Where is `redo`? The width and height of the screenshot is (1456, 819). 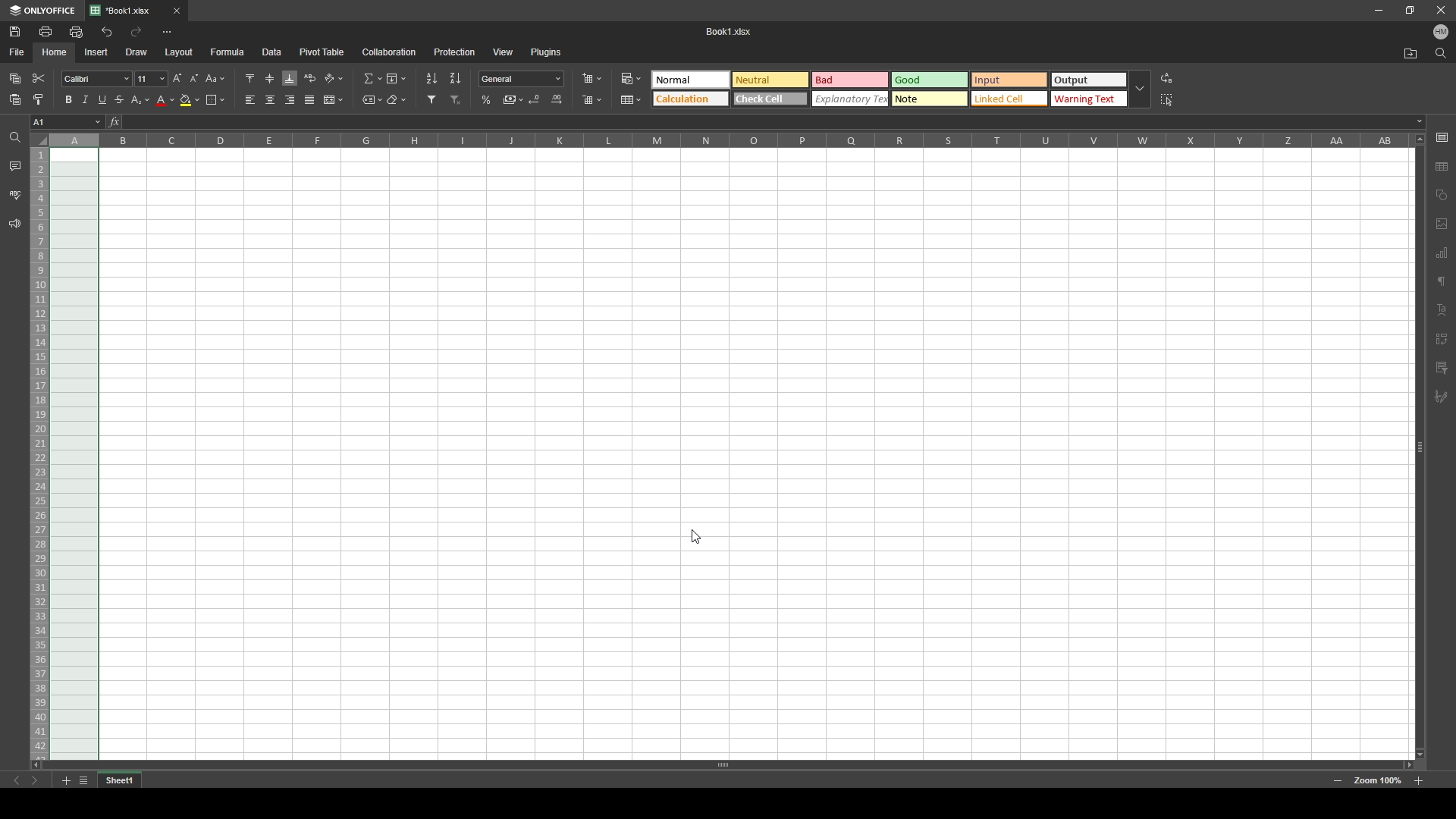 redo is located at coordinates (136, 31).